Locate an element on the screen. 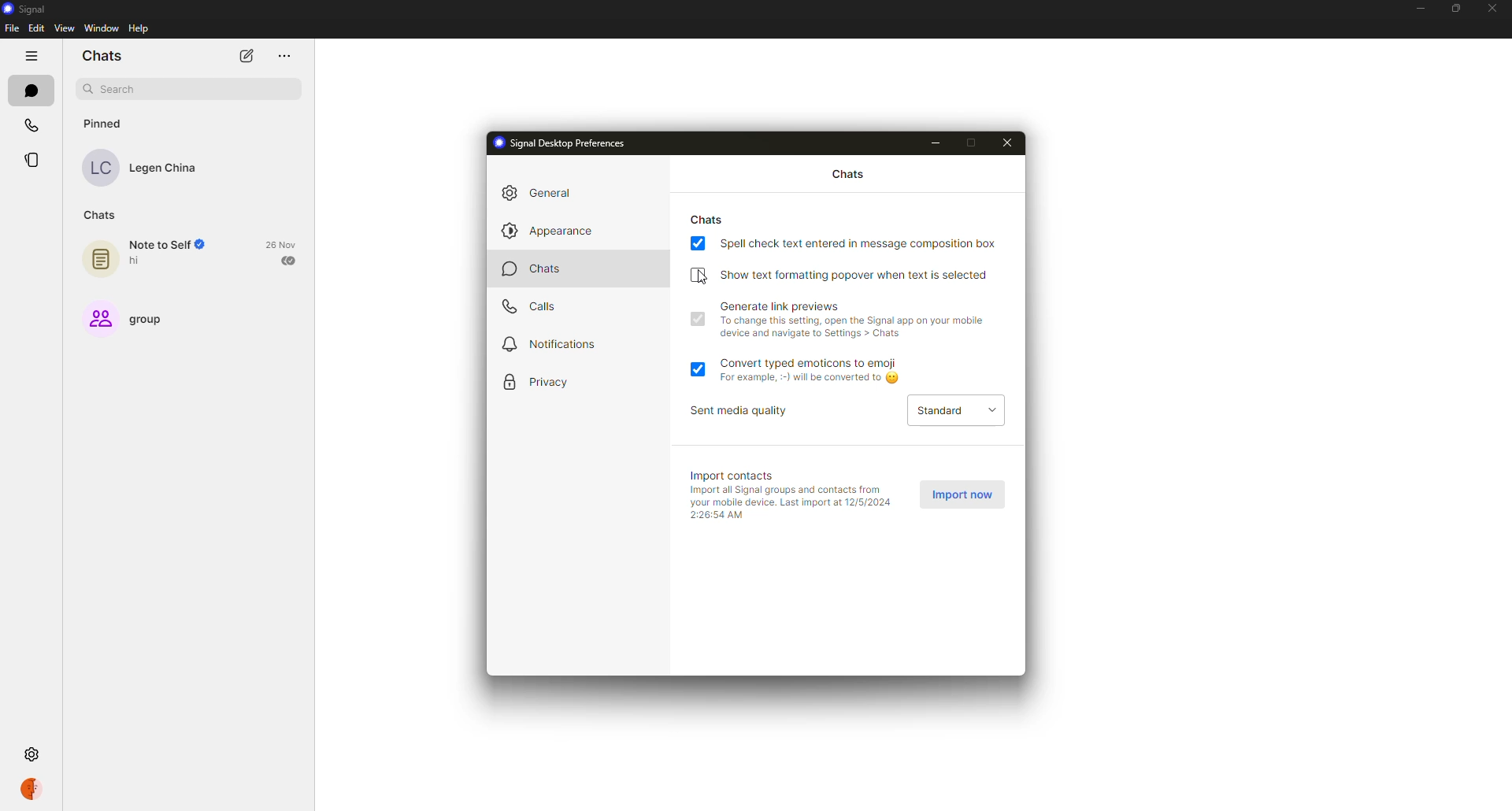 The height and width of the screenshot is (811, 1512). chats is located at coordinates (104, 56).